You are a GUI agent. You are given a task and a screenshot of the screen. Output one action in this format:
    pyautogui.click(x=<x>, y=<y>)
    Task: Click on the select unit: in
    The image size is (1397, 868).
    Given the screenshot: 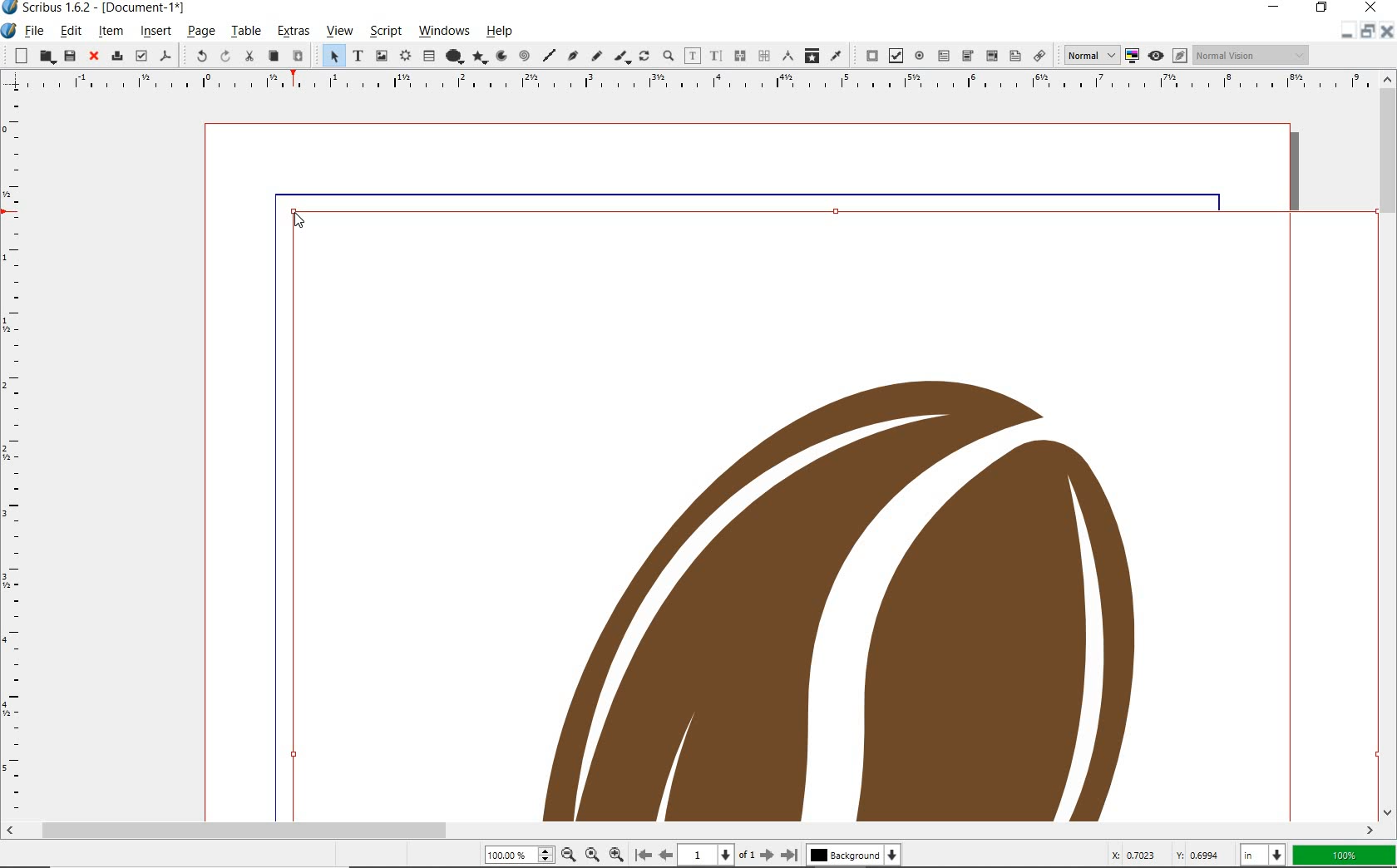 What is the action you would take?
    pyautogui.click(x=1265, y=856)
    